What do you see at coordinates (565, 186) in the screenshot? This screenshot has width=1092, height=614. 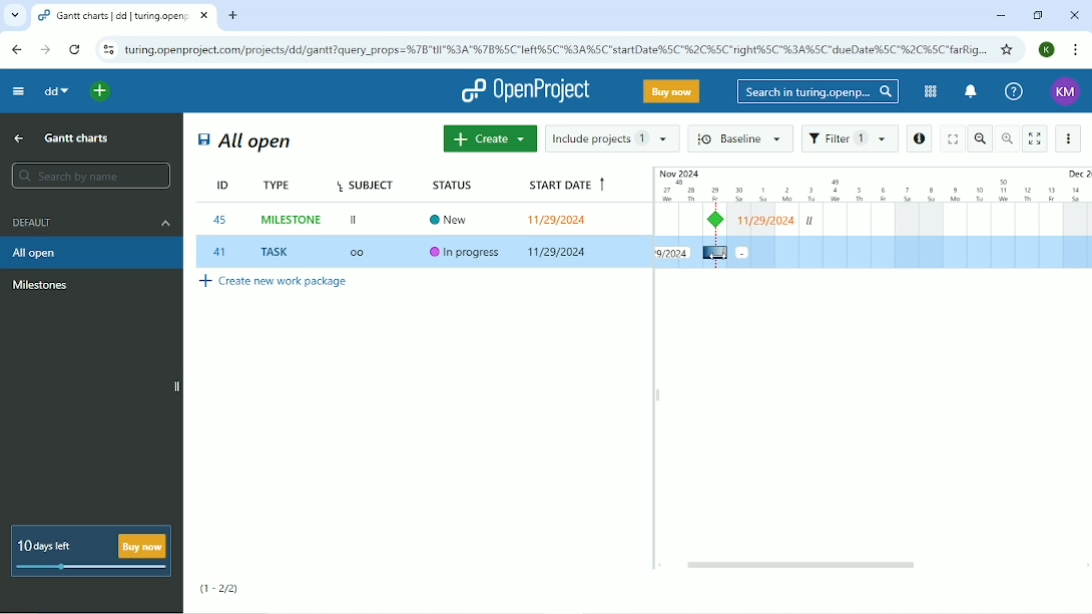 I see `Start date` at bounding box center [565, 186].